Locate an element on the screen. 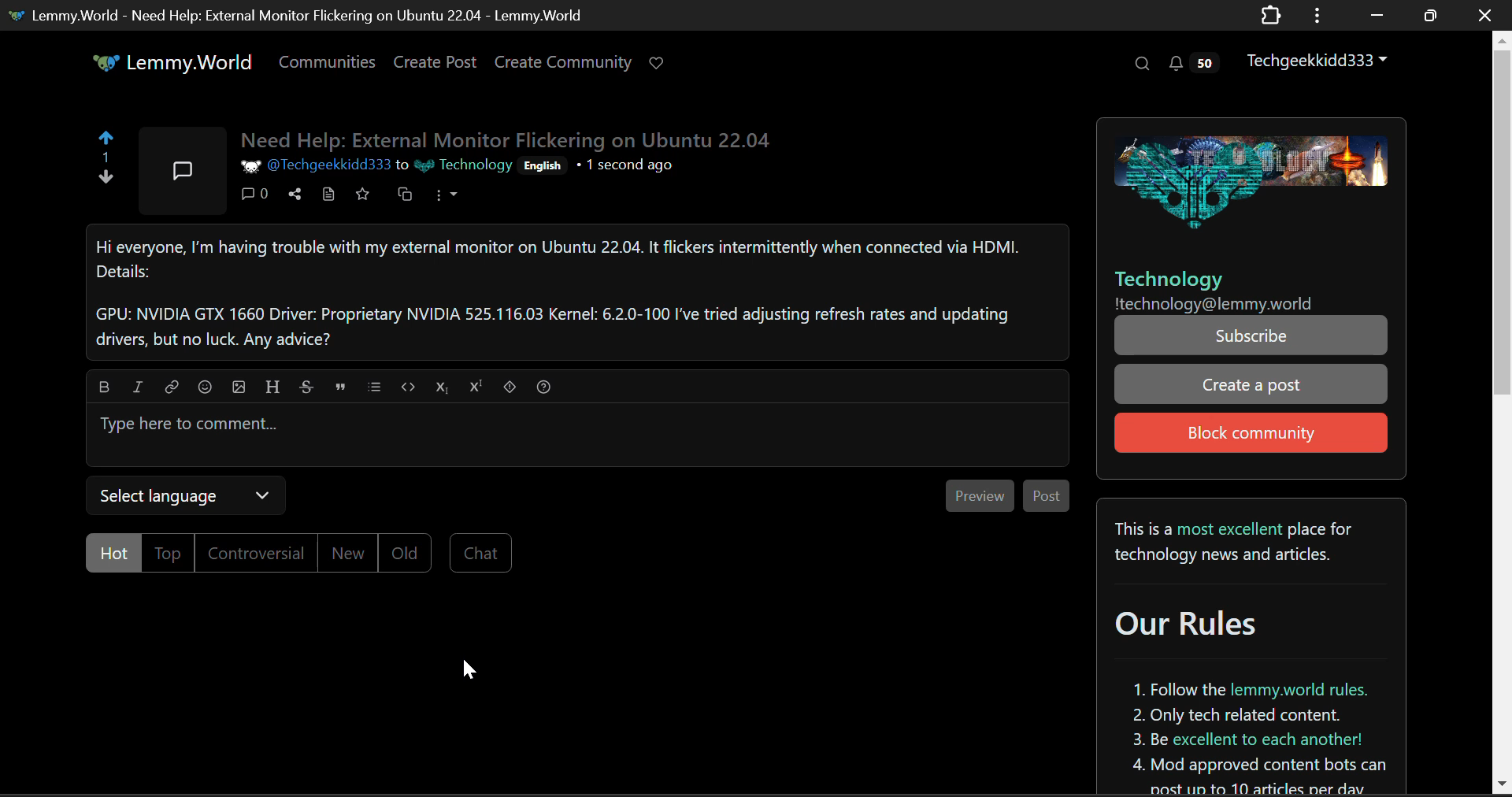  Create a post Button is located at coordinates (1251, 384).